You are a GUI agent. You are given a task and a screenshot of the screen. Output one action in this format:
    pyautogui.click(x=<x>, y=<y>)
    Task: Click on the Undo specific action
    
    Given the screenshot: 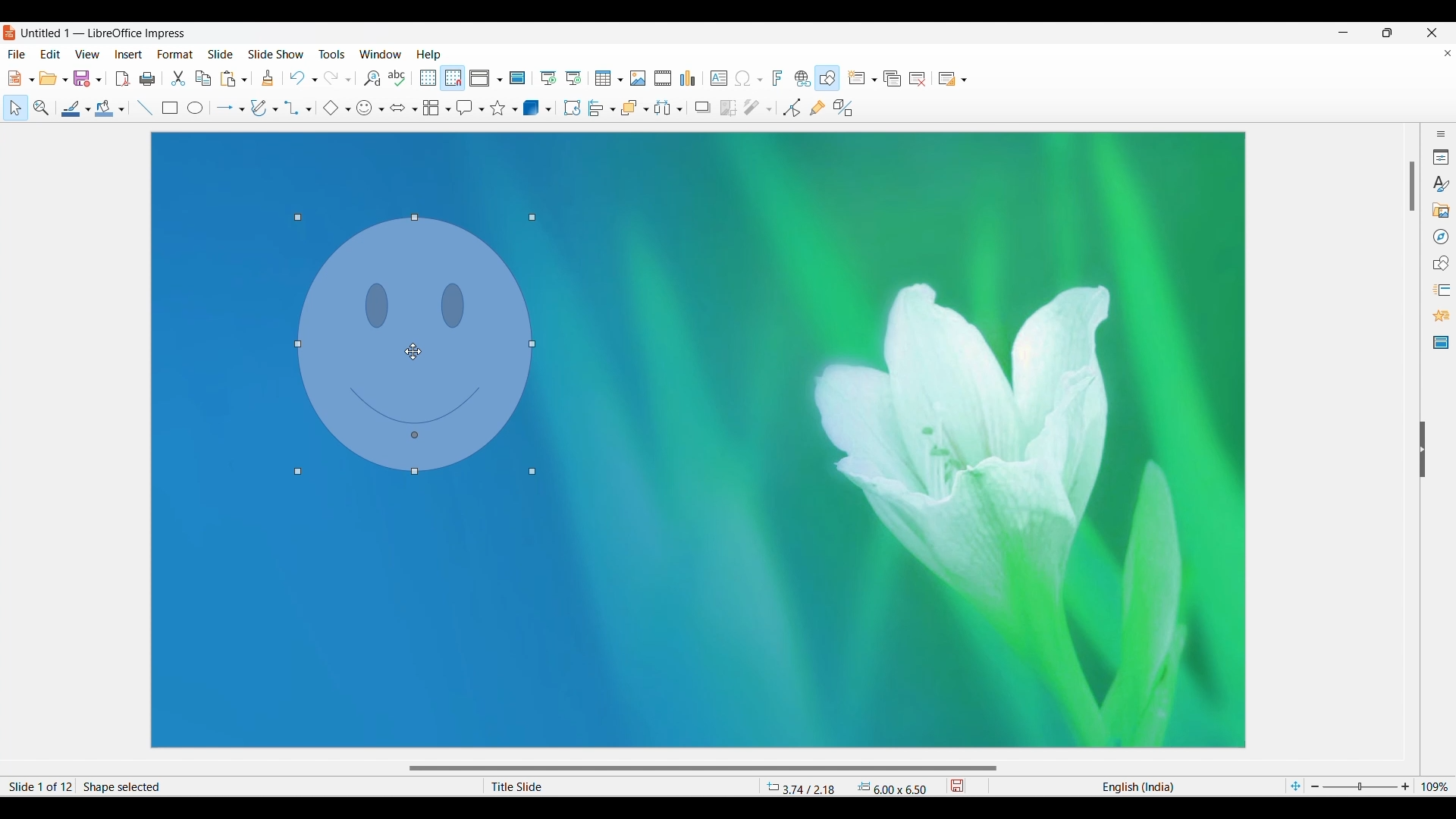 What is the action you would take?
    pyautogui.click(x=315, y=80)
    